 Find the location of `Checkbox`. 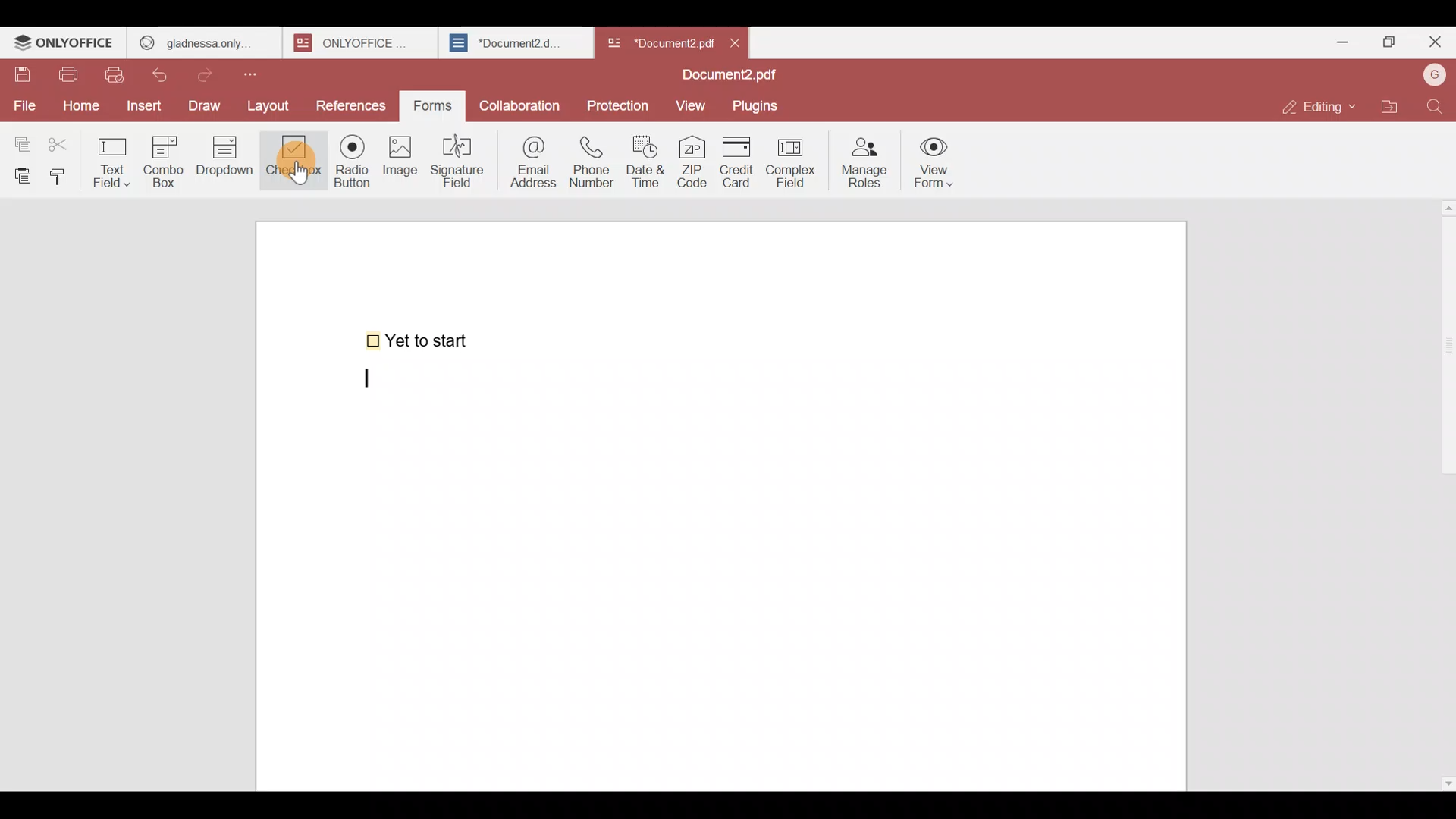

Checkbox is located at coordinates (290, 162).